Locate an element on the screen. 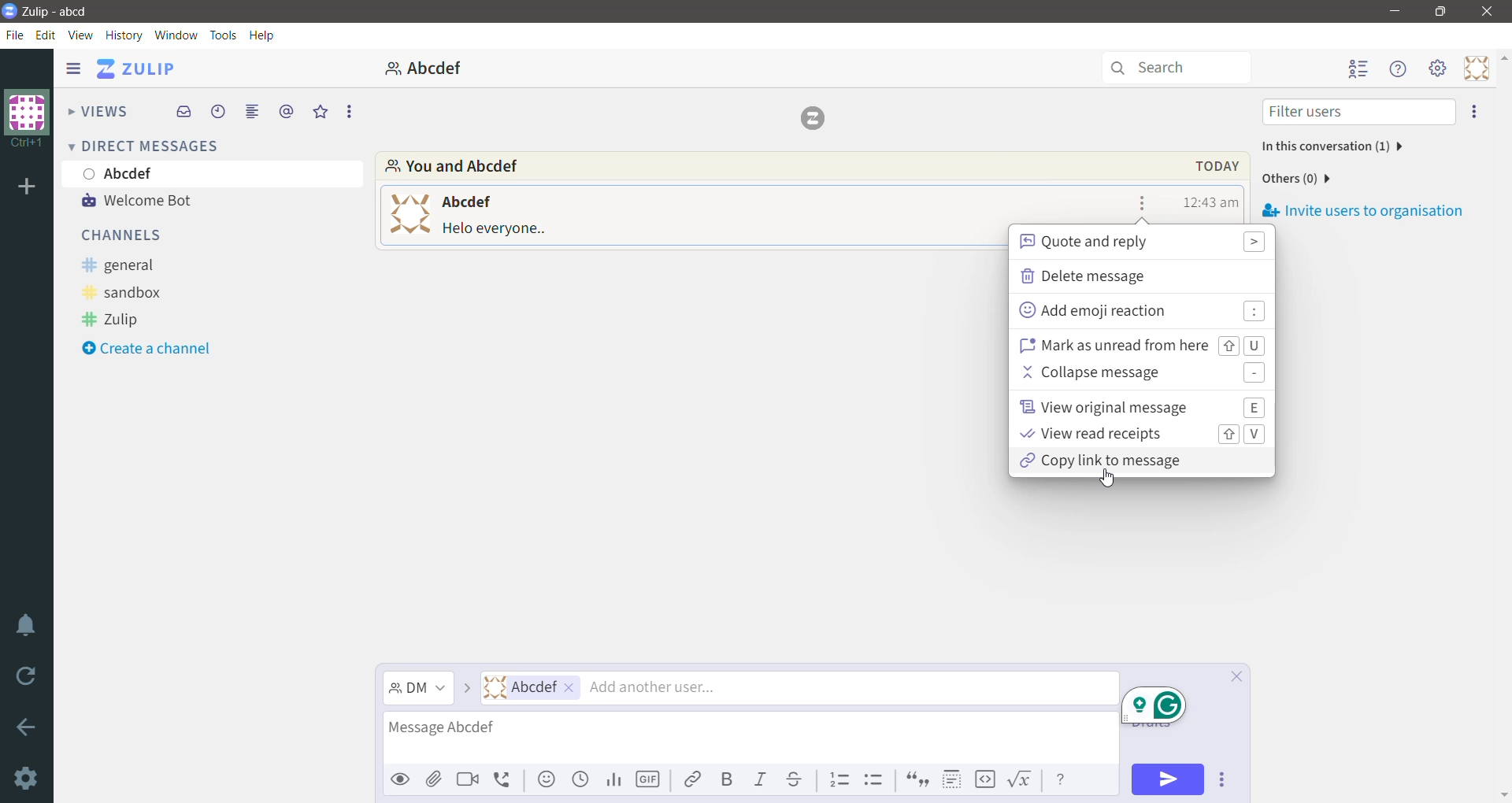  Add GIF is located at coordinates (649, 779).